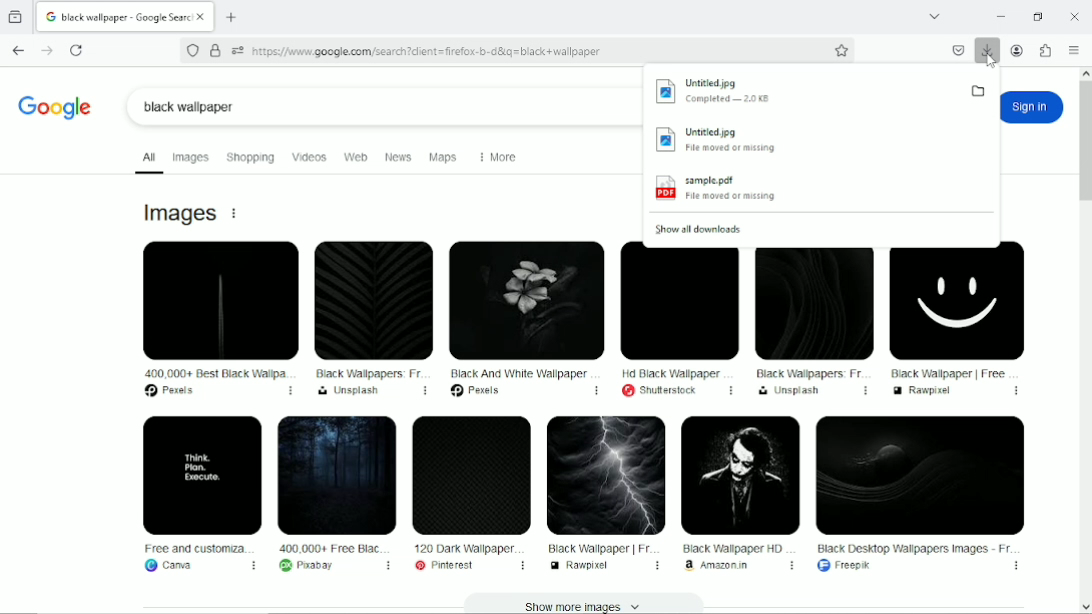 The height and width of the screenshot is (614, 1092). What do you see at coordinates (193, 49) in the screenshot?
I see `No trackers known to Firefox were detected on this page` at bounding box center [193, 49].